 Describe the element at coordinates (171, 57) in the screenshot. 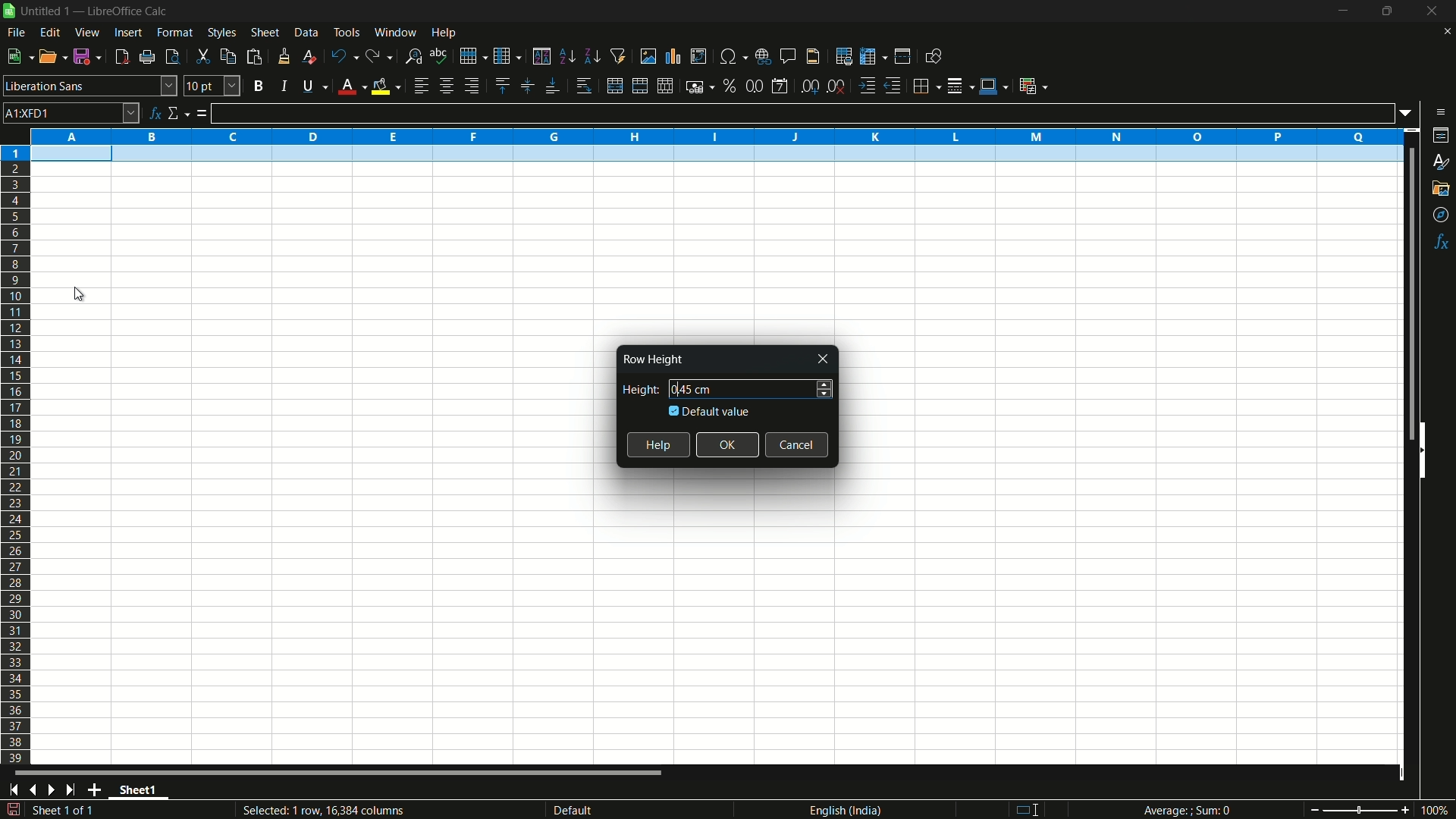

I see `toggle print review` at that location.